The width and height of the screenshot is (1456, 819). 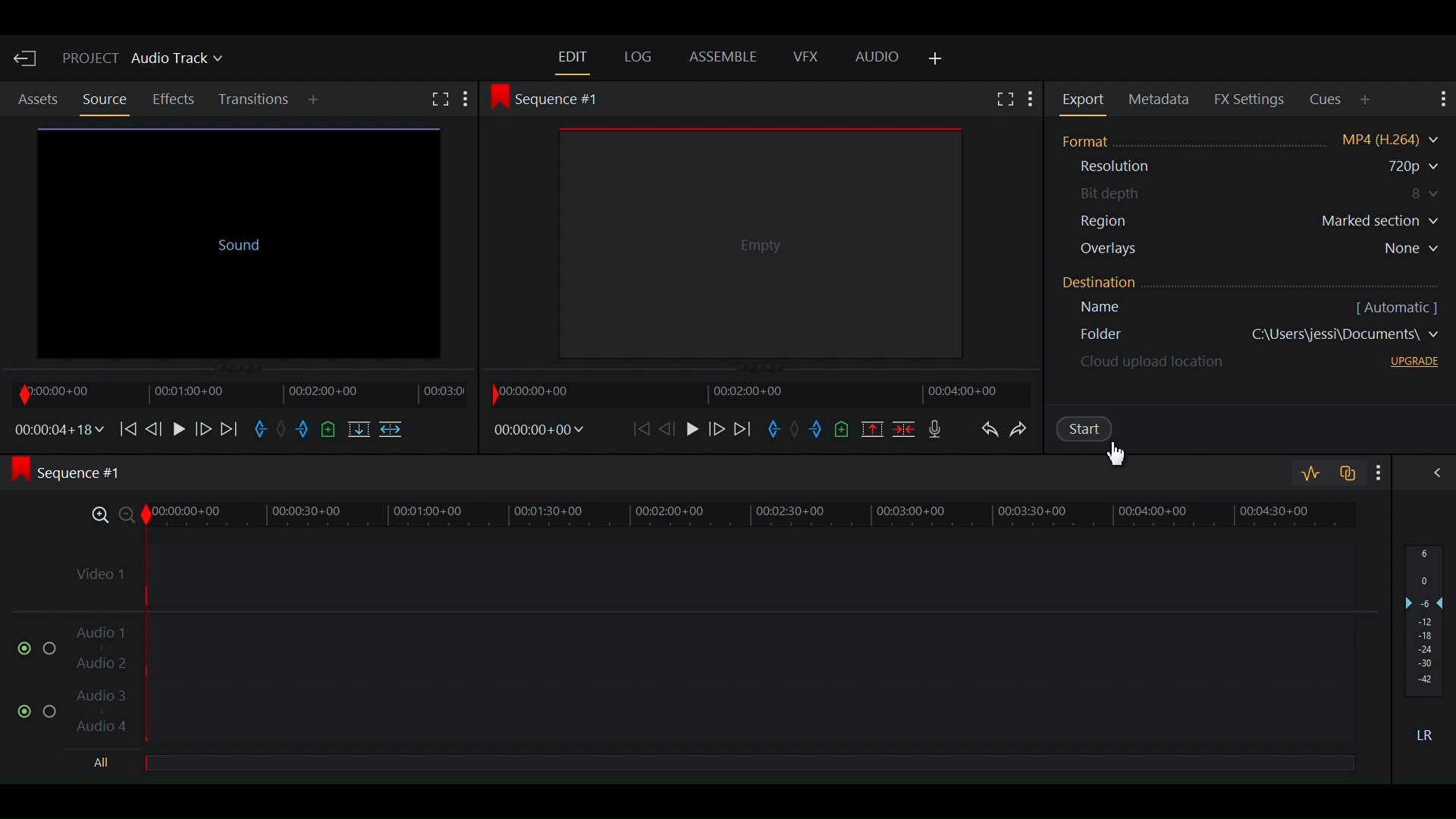 I want to click on FX Settings, so click(x=1250, y=99).